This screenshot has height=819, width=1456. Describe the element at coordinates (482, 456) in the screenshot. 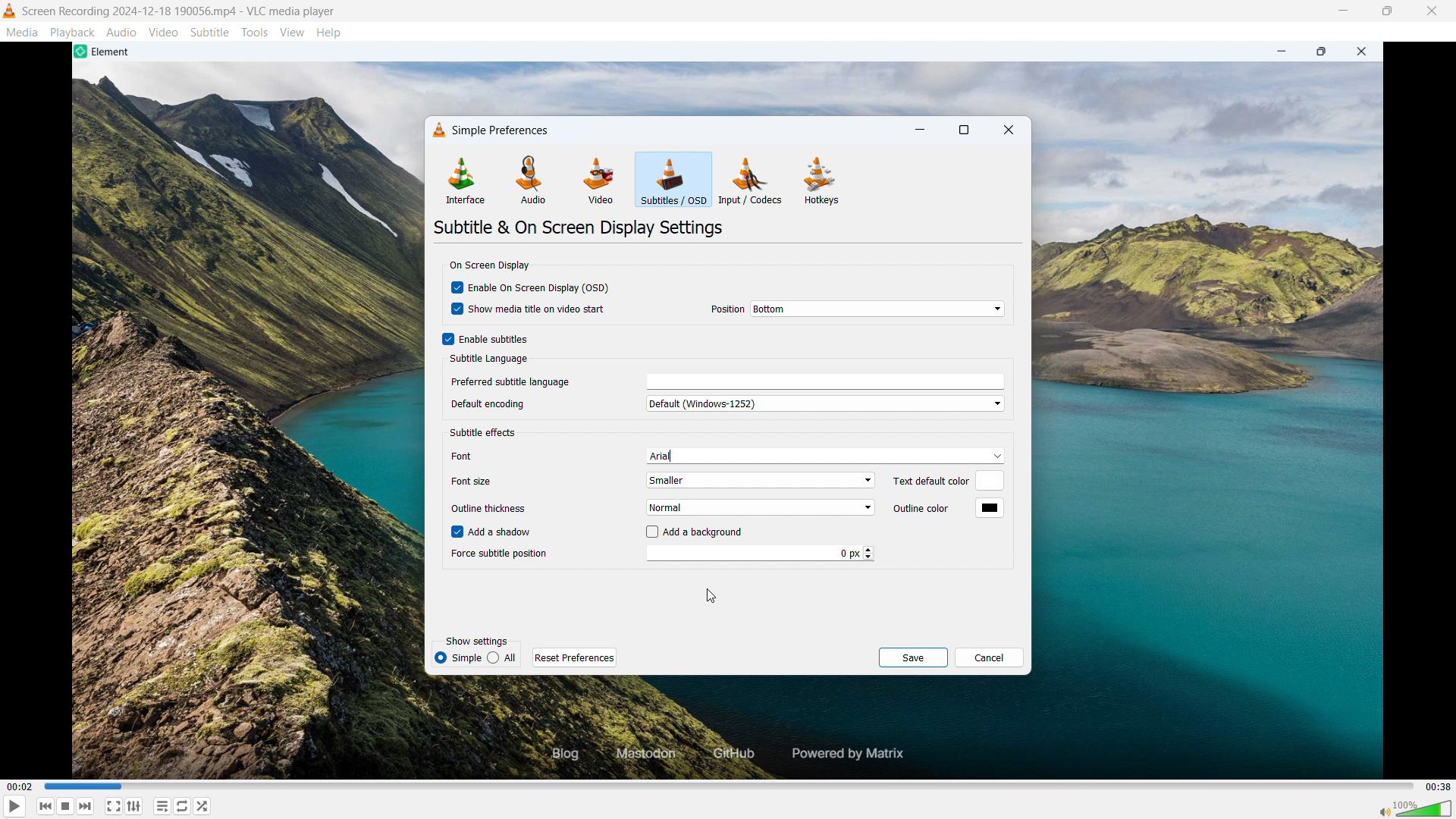

I see `Font` at that location.